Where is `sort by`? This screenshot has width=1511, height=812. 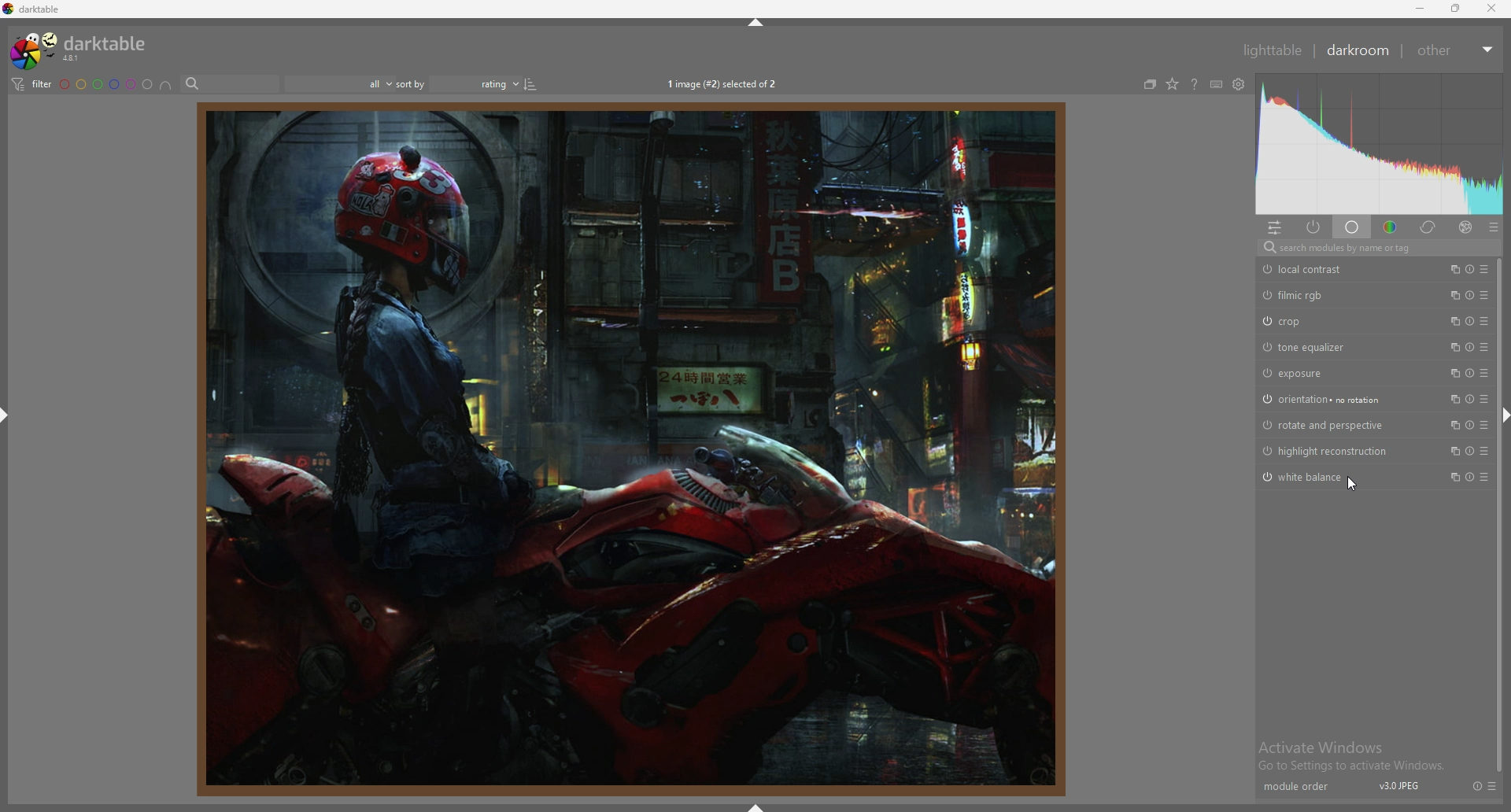
sort by is located at coordinates (460, 84).